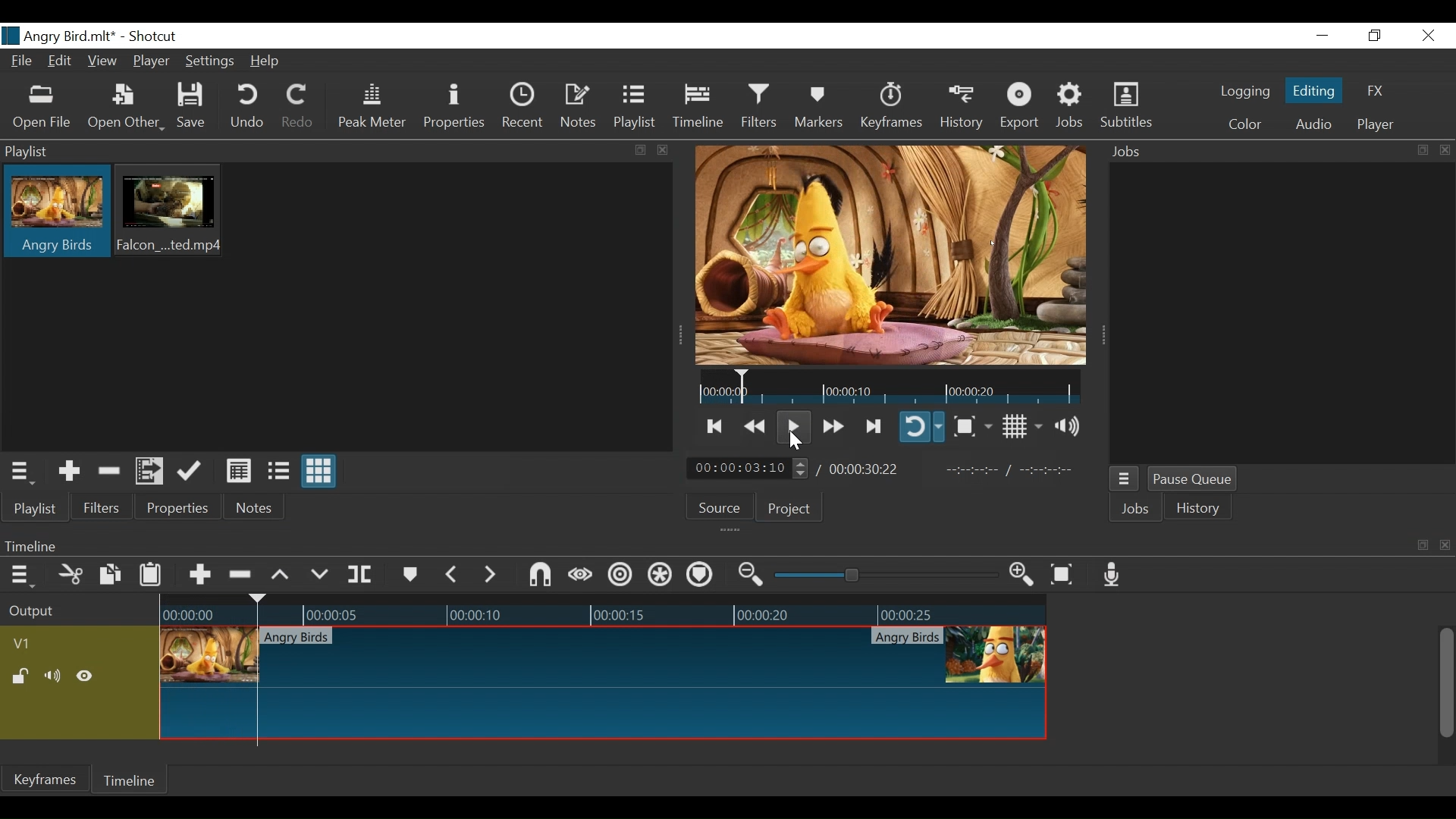  I want to click on Lift, so click(281, 573).